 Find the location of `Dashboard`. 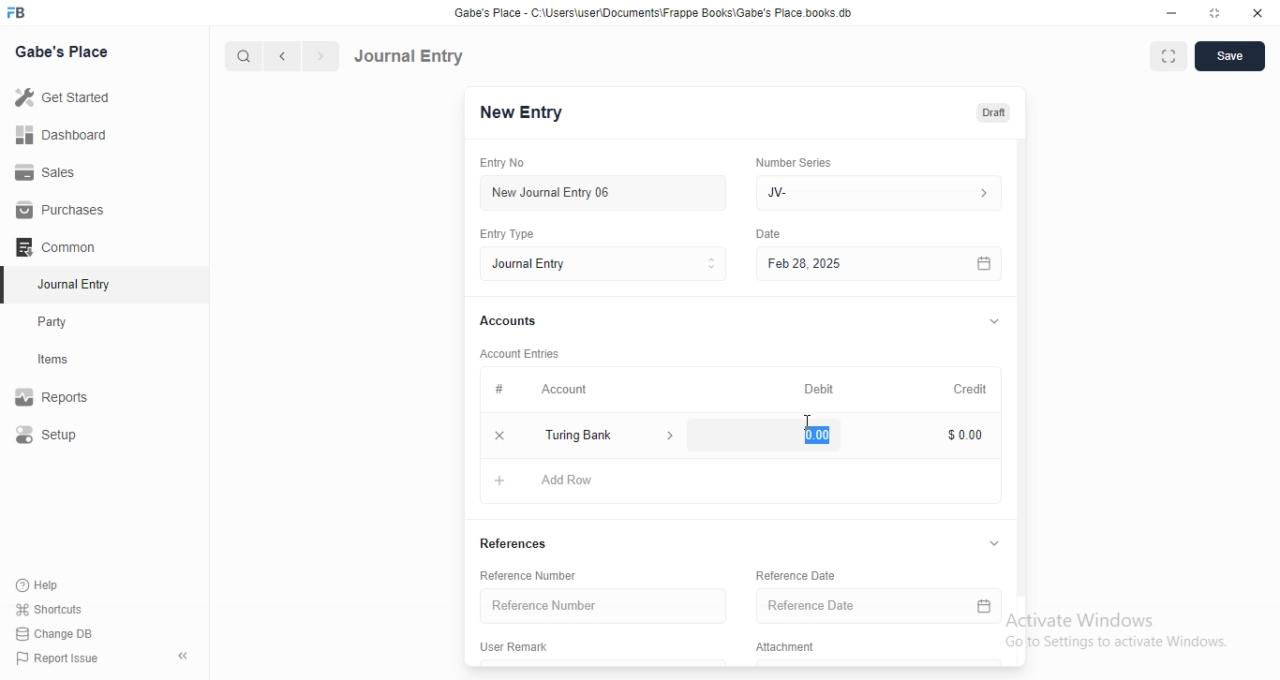

Dashboard is located at coordinates (66, 134).